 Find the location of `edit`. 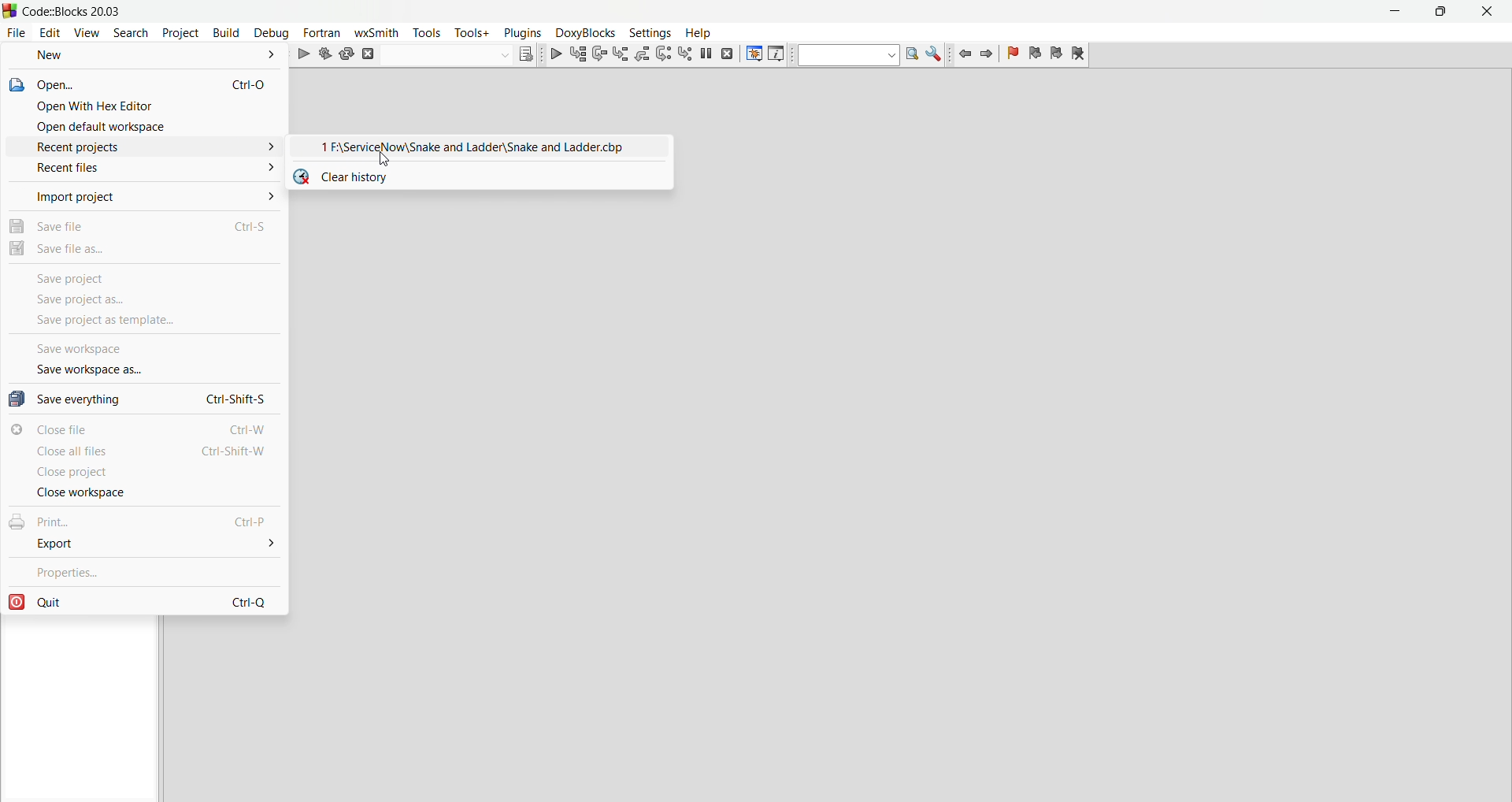

edit is located at coordinates (52, 33).